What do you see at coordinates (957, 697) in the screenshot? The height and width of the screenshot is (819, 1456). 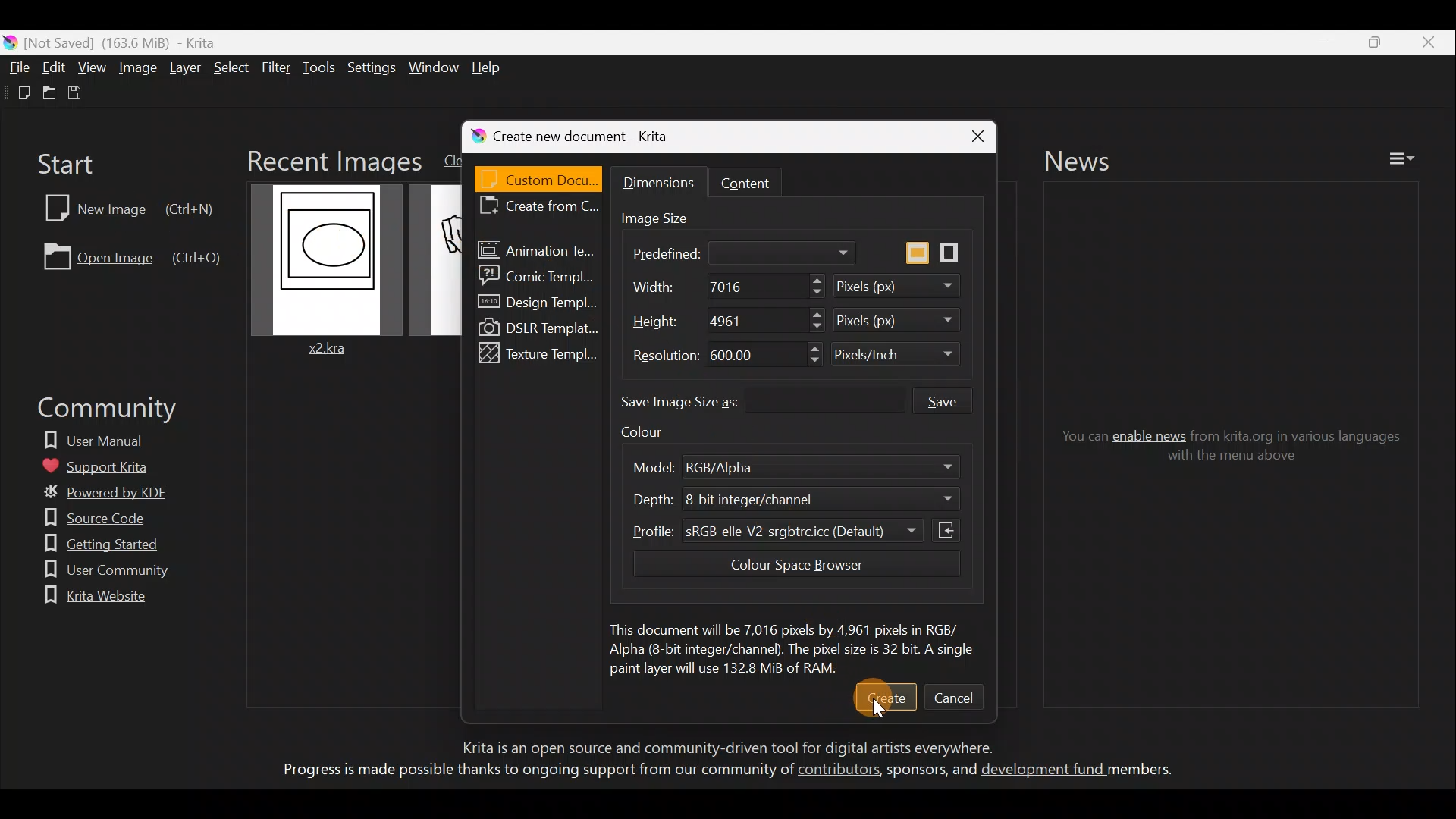 I see `Cancel` at bounding box center [957, 697].